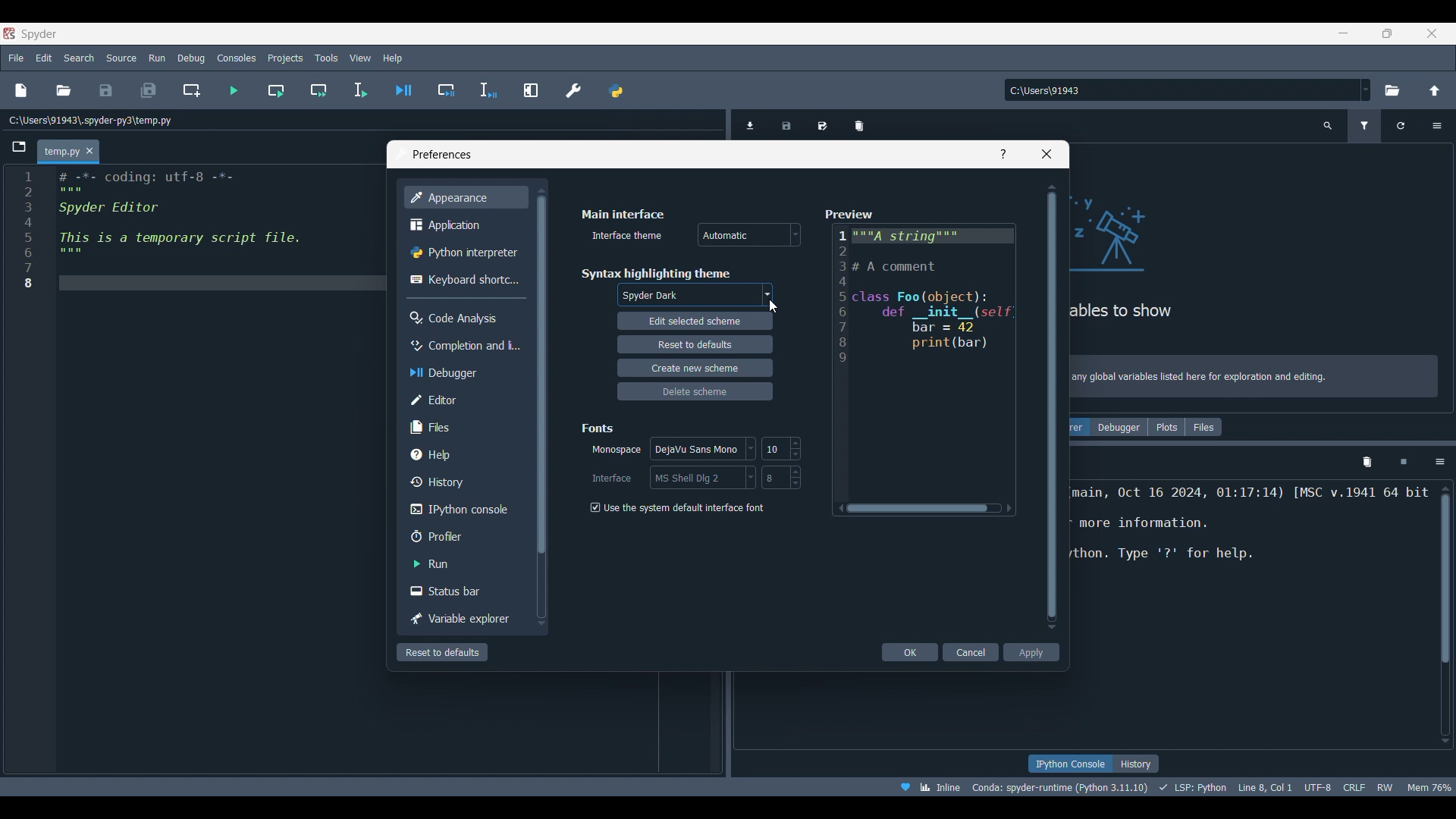  I want to click on Debug cell, so click(446, 90).